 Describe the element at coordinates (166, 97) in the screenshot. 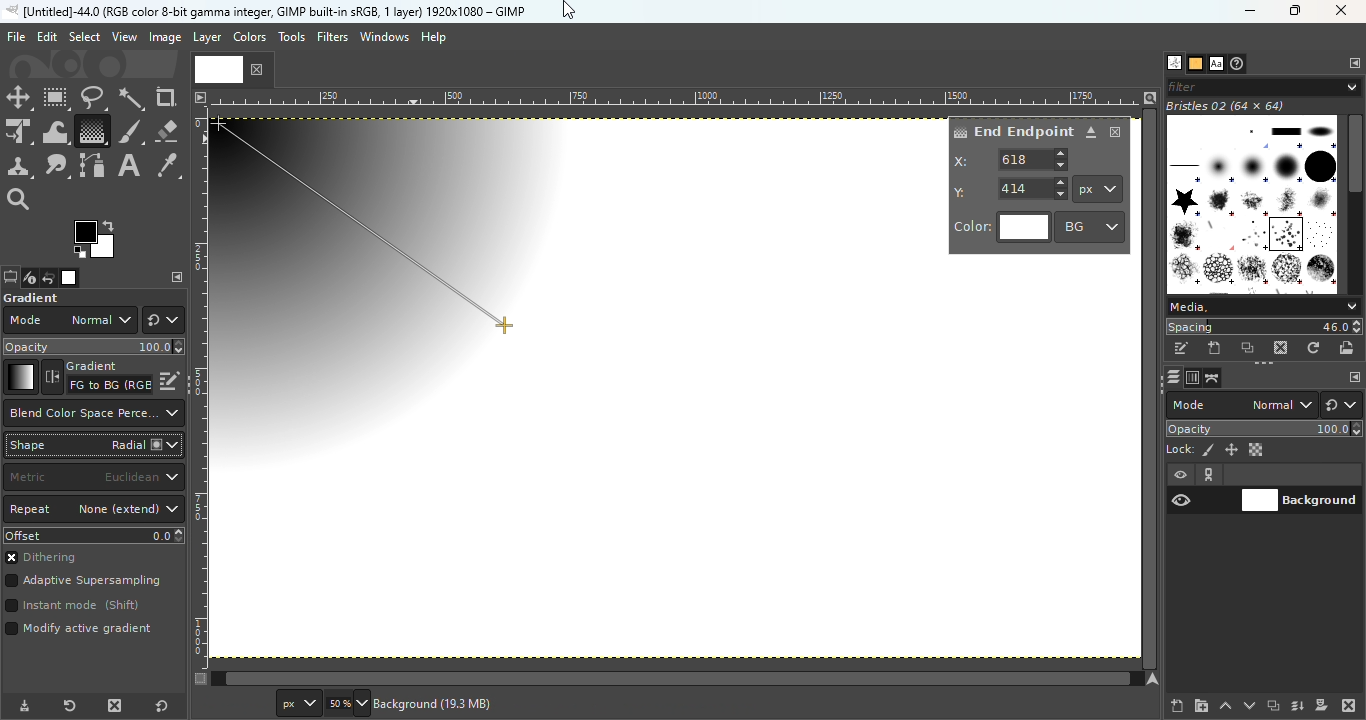

I see `Crop tool` at that location.